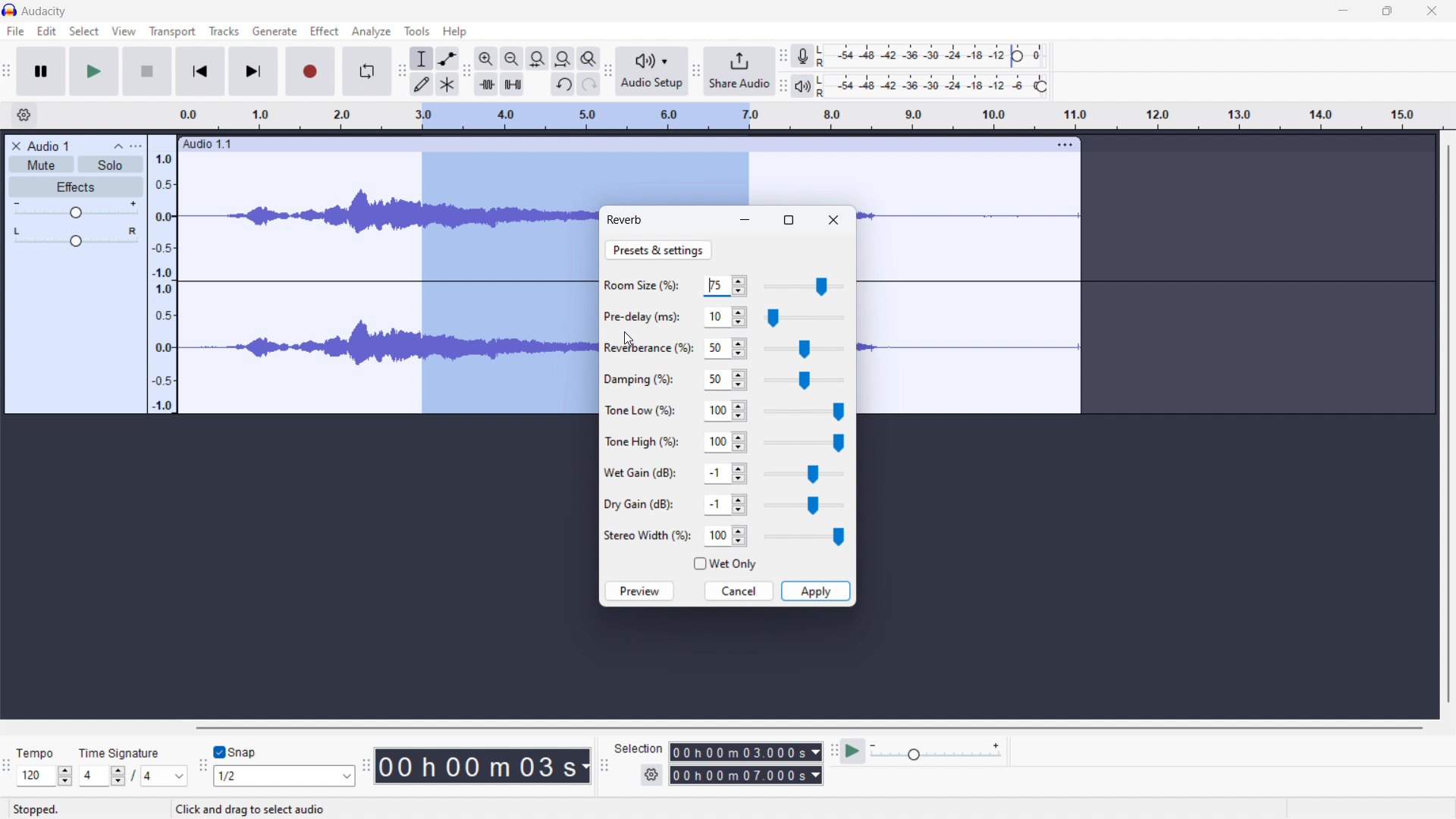 Image resolution: width=1456 pixels, height=819 pixels. What do you see at coordinates (483, 765) in the screenshot?
I see `00 h 00 m 03 s` at bounding box center [483, 765].